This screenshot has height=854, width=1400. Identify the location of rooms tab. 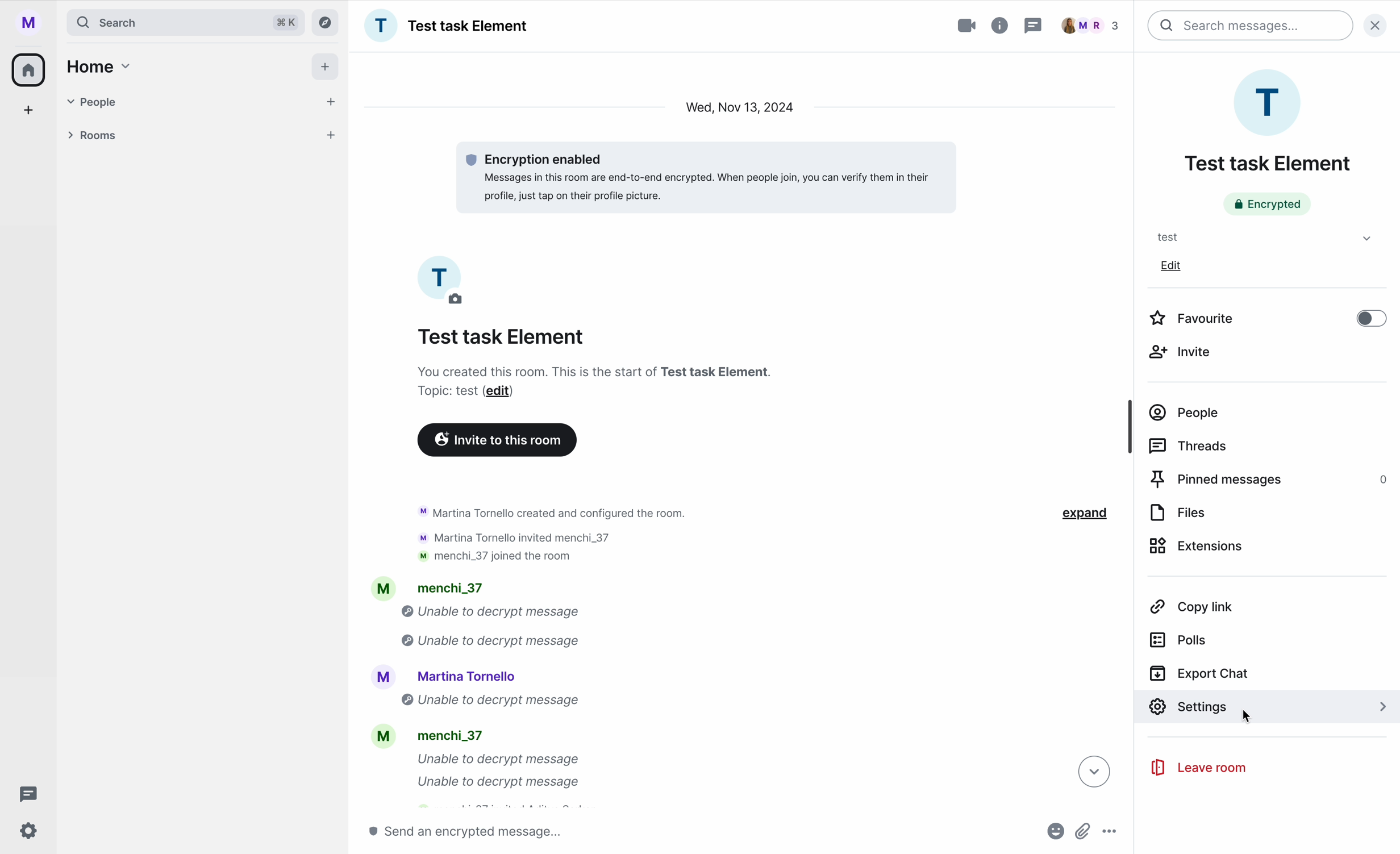
(206, 135).